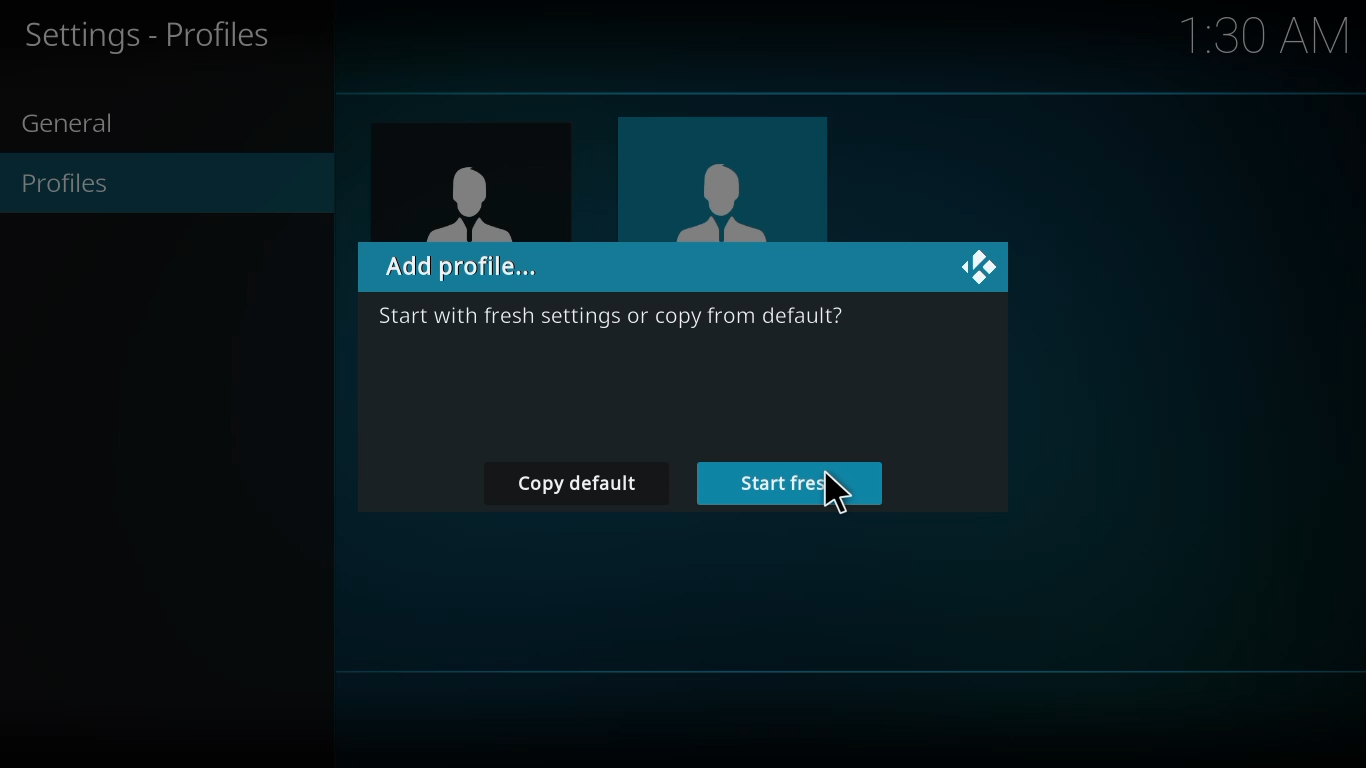 The height and width of the screenshot is (768, 1366). I want to click on user, so click(725, 195).